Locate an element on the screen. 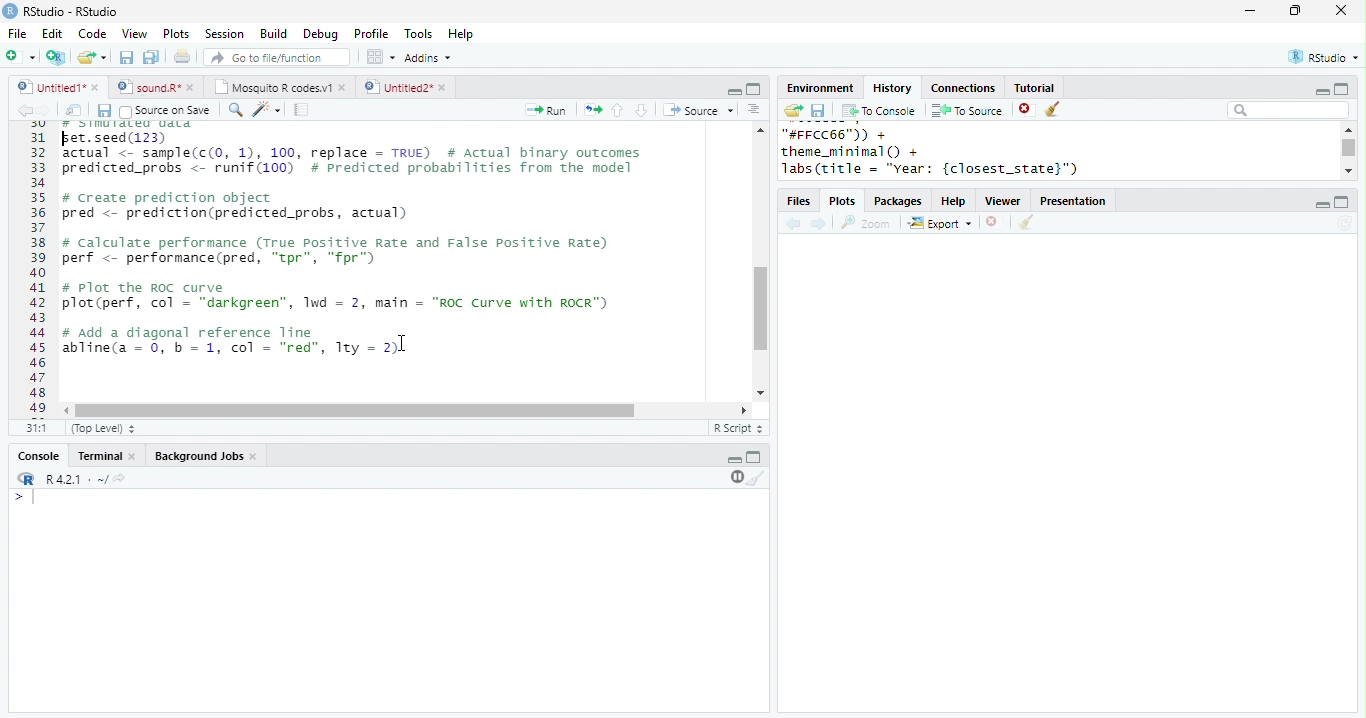 This screenshot has width=1366, height=718. compile report is located at coordinates (302, 109).